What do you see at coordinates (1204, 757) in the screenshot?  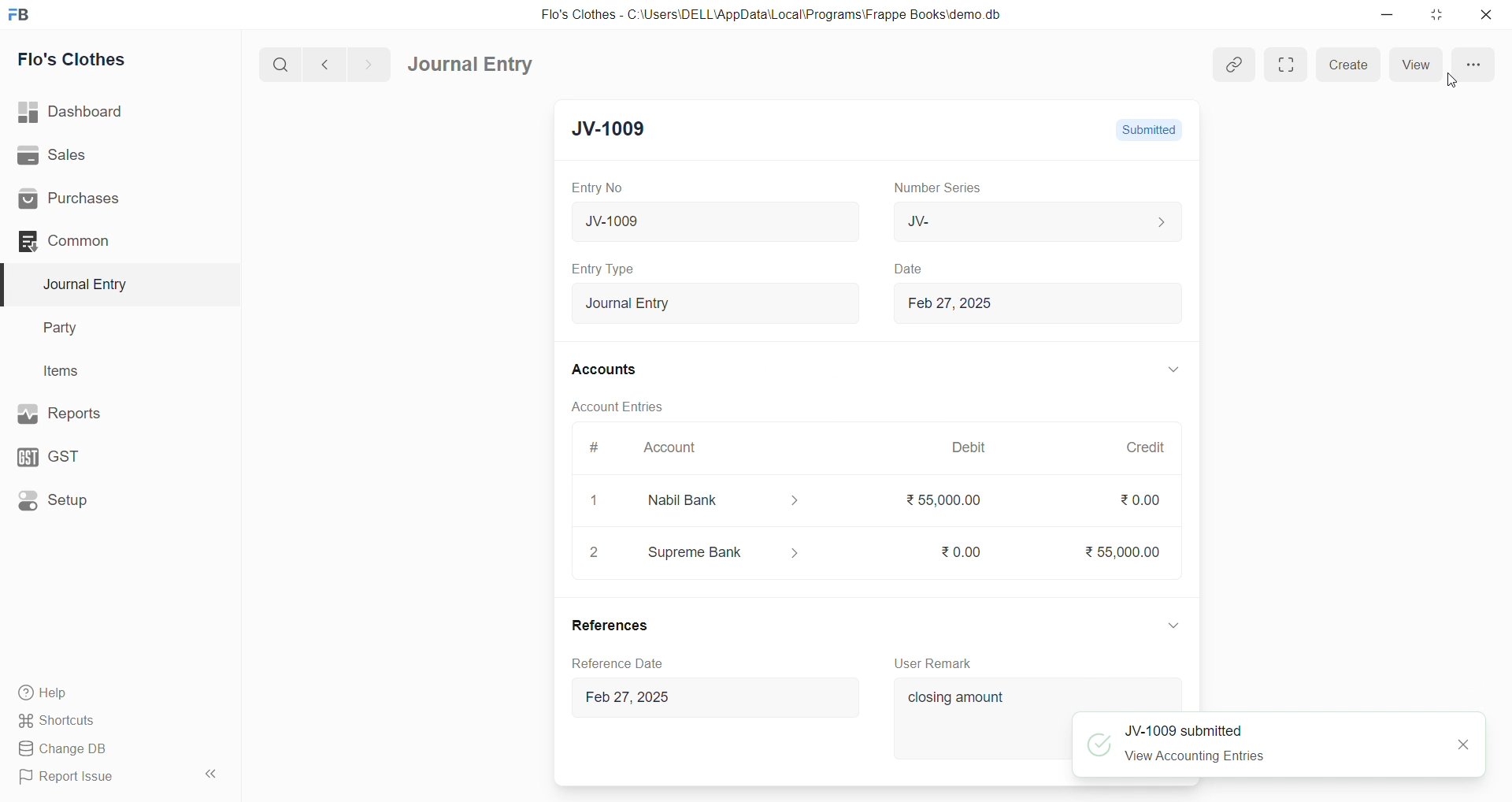 I see `View Accounting Entries` at bounding box center [1204, 757].